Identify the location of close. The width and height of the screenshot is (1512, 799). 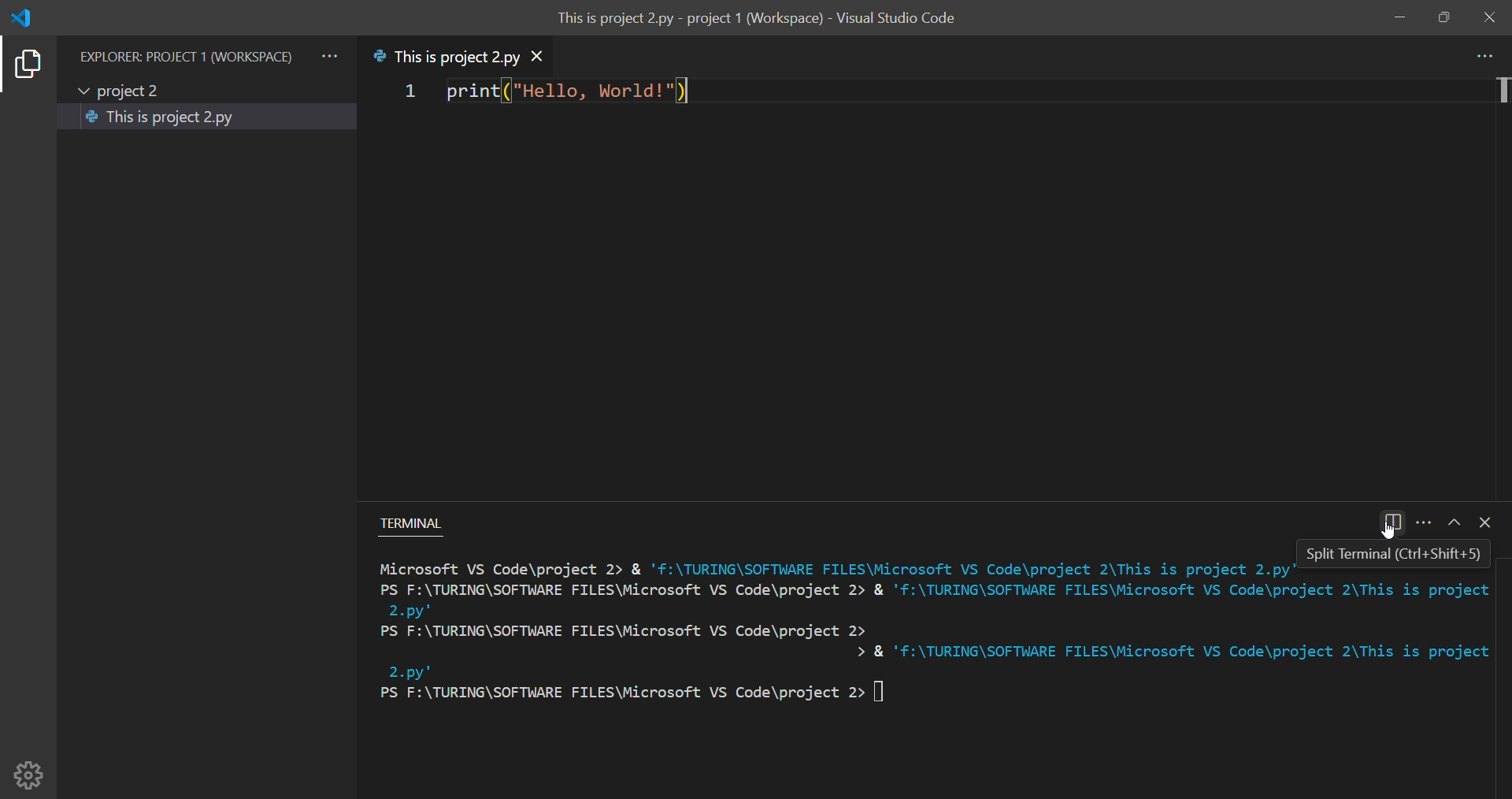
(1490, 16).